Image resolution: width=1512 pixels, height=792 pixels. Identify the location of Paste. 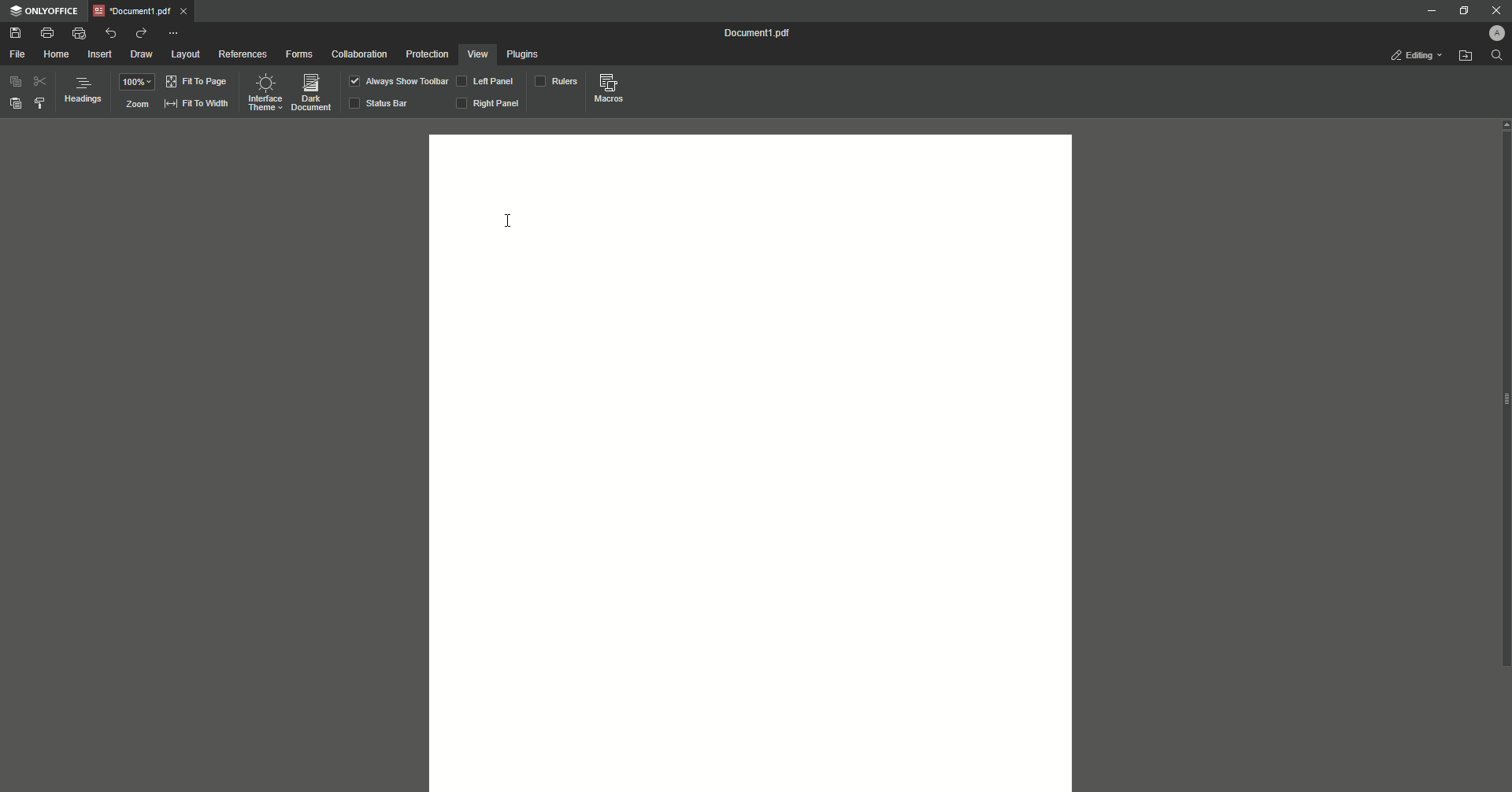
(17, 104).